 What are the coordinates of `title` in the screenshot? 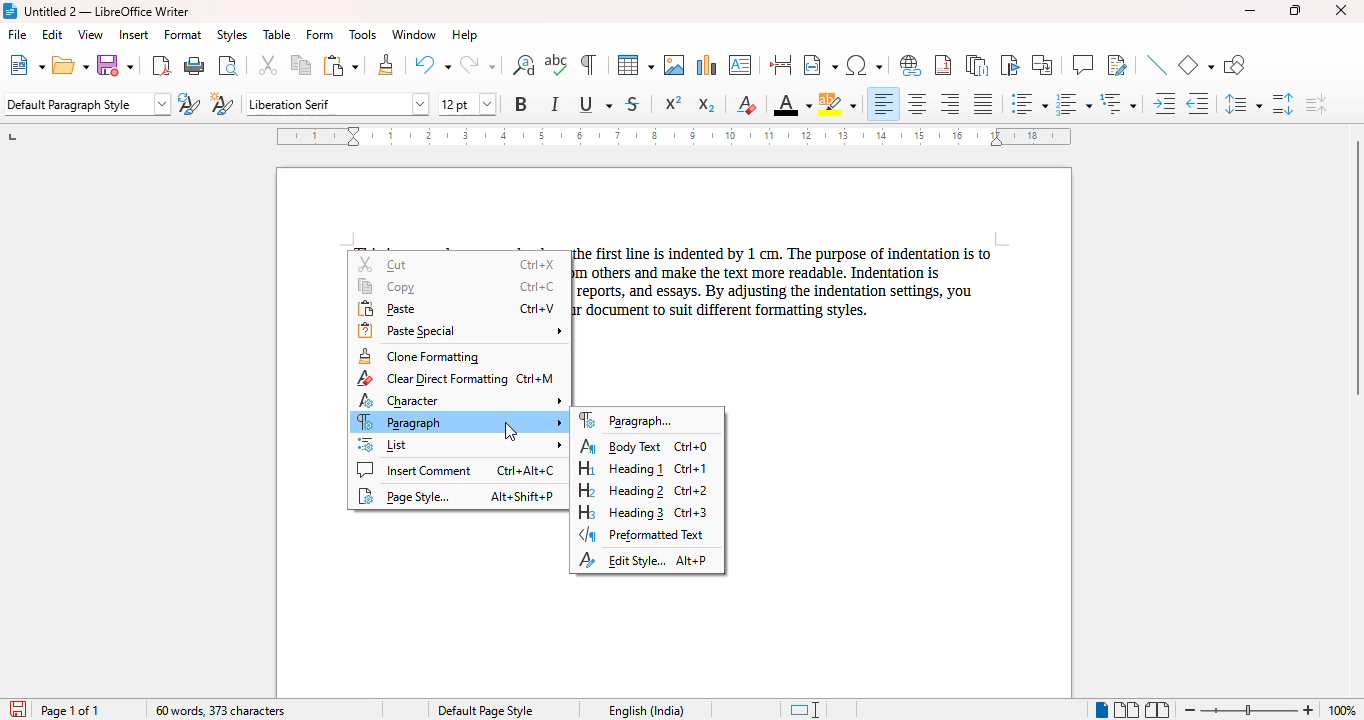 It's located at (106, 10).